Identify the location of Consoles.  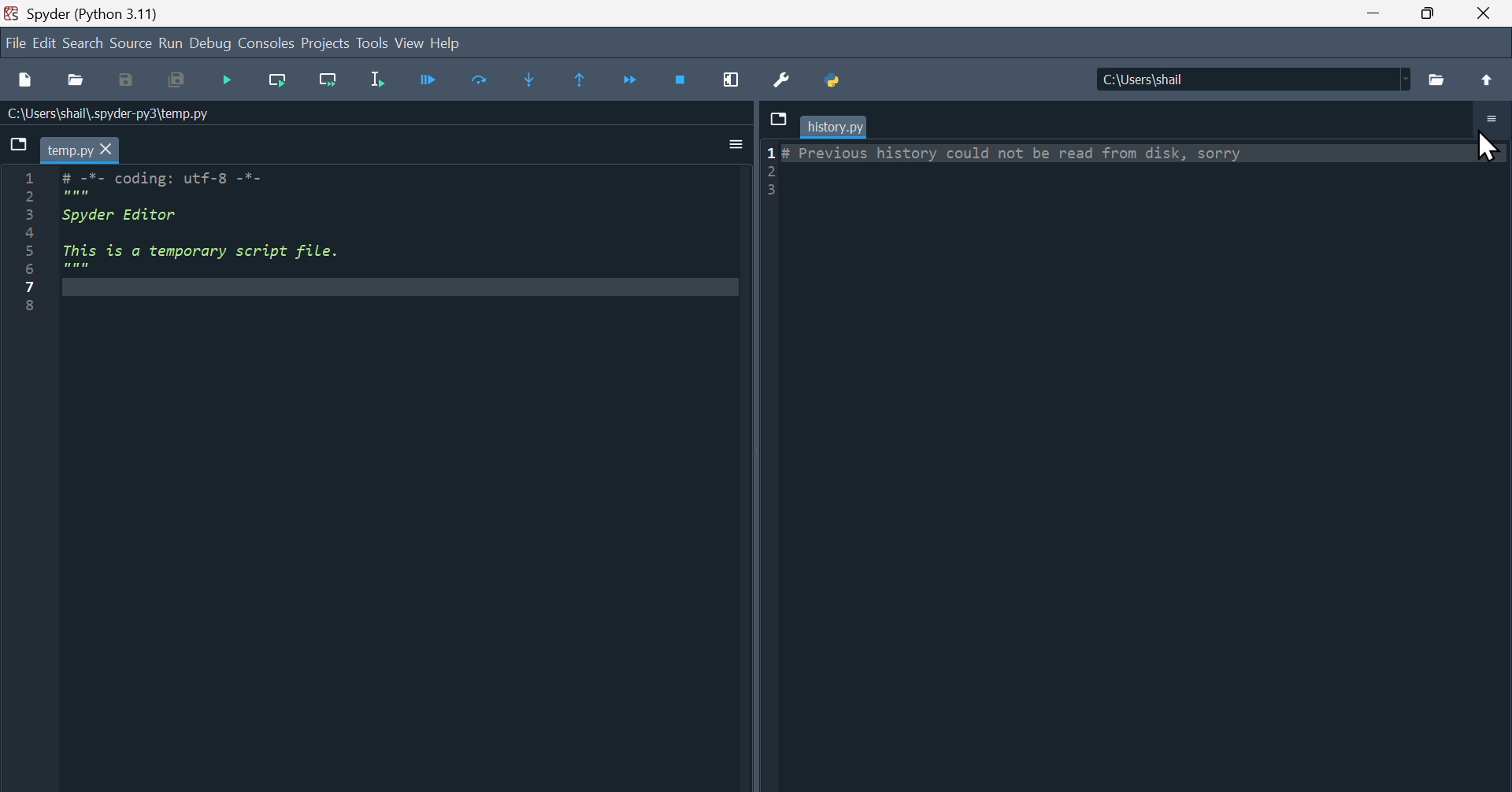
(267, 44).